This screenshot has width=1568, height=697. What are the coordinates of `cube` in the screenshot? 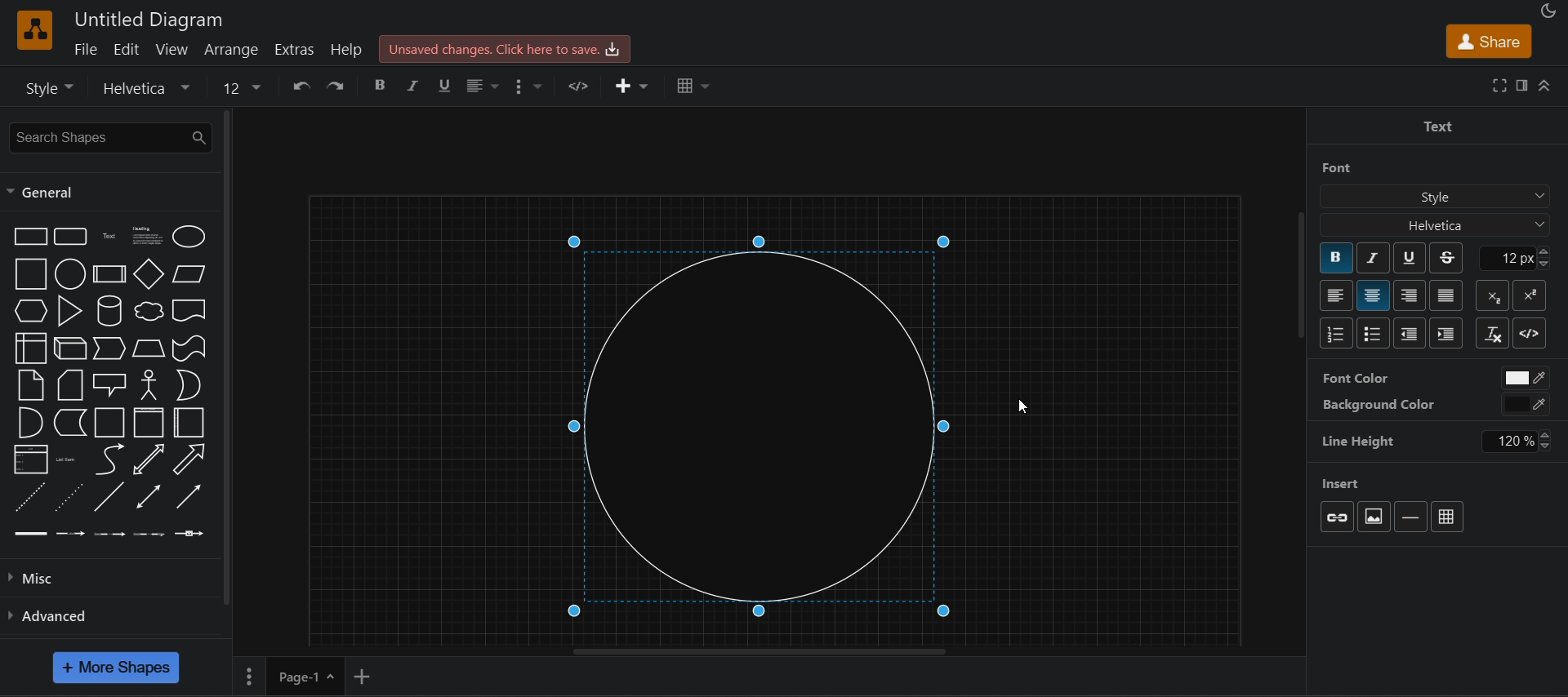 It's located at (69, 350).